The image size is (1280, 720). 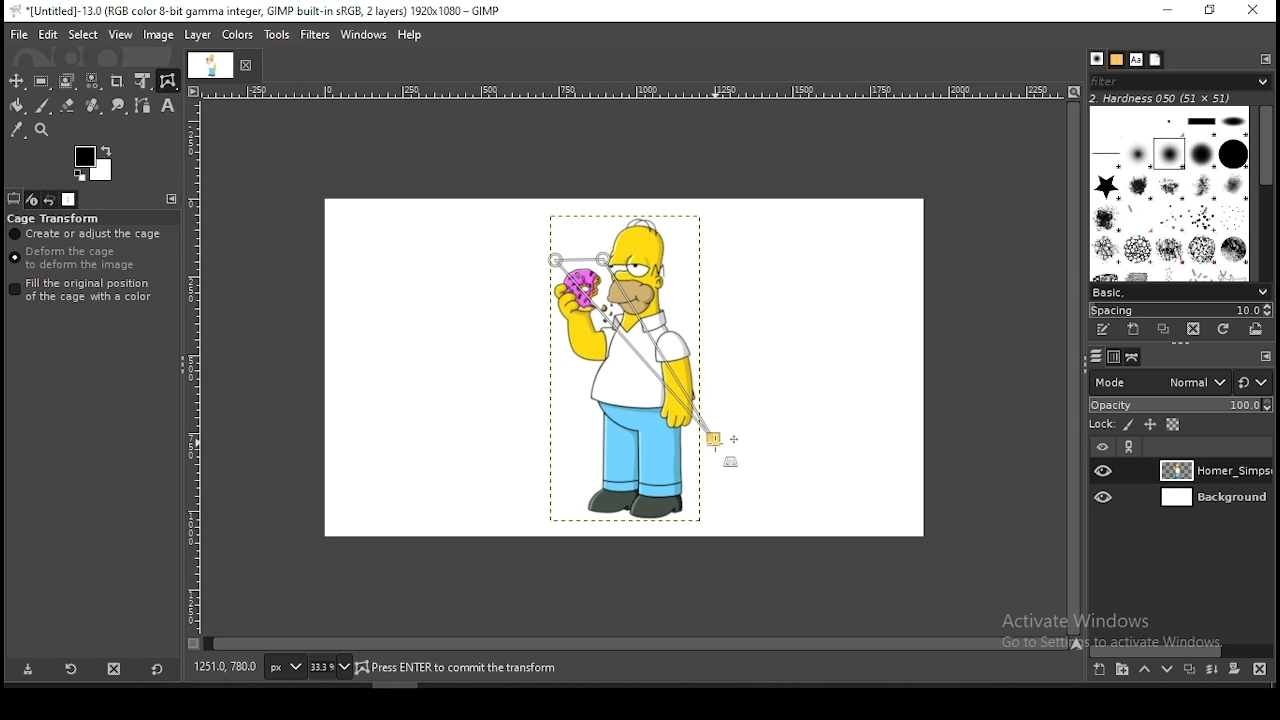 I want to click on tool options, so click(x=14, y=199).